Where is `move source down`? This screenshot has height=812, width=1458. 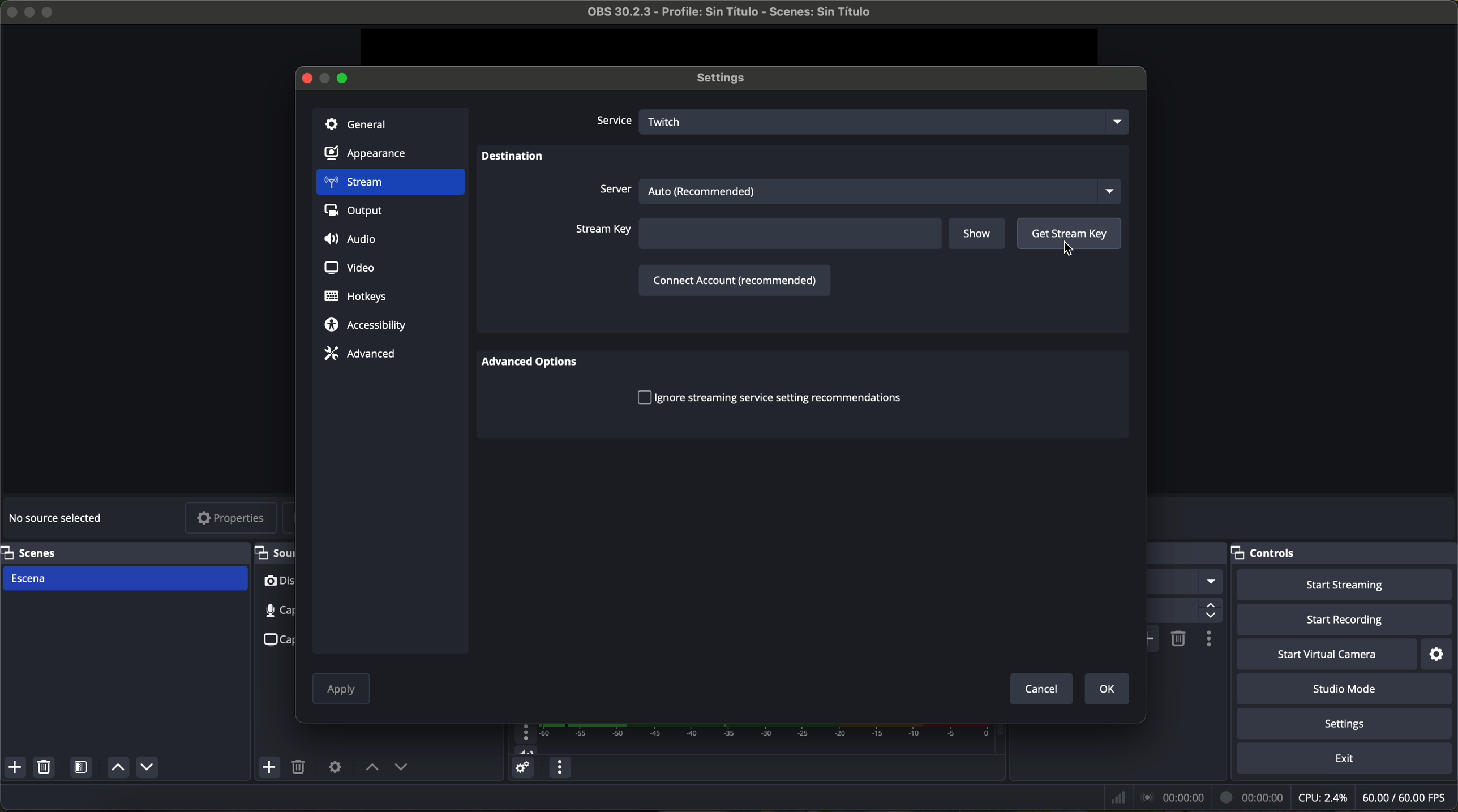 move source down is located at coordinates (147, 767).